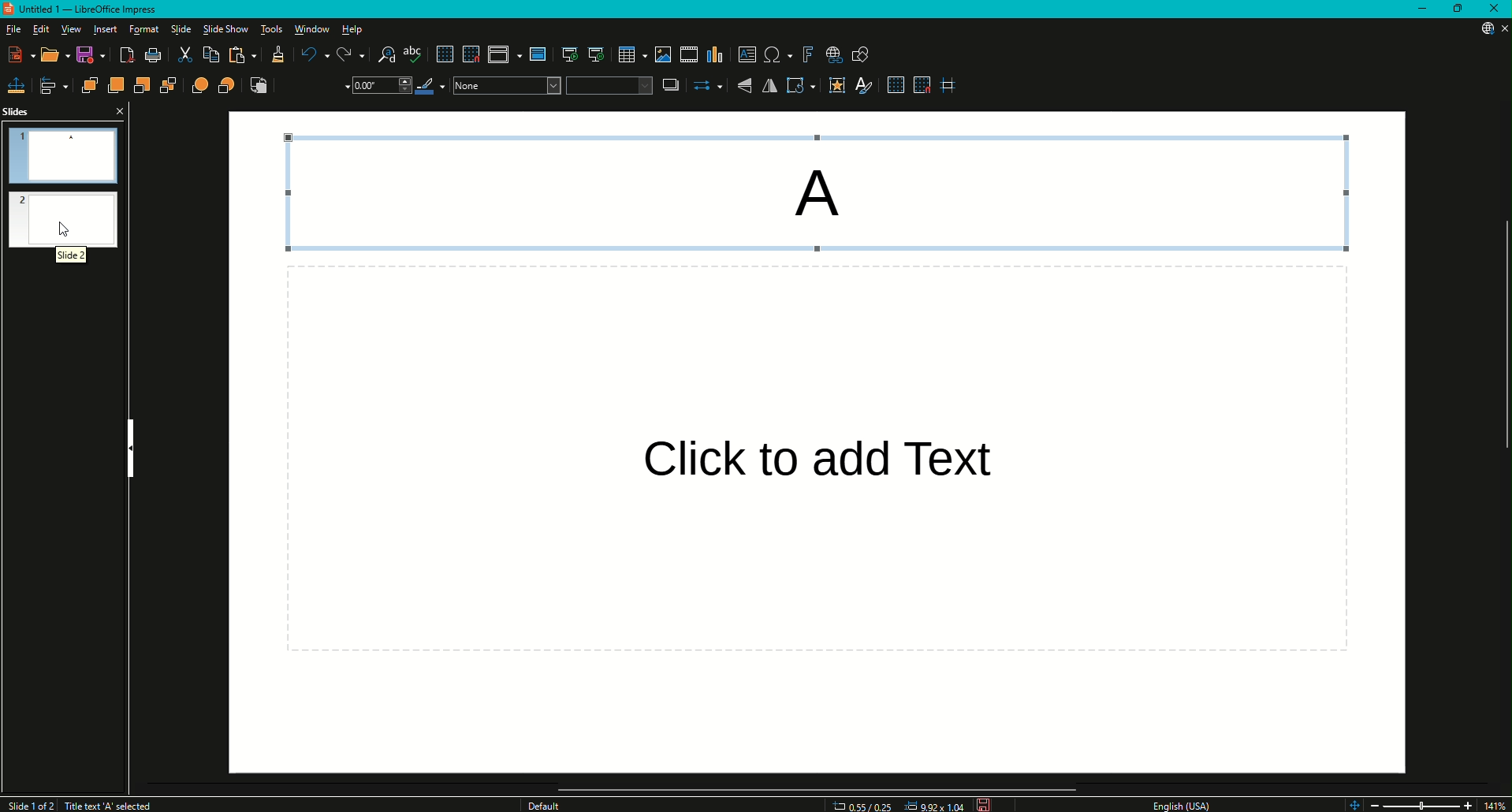 The width and height of the screenshot is (1512, 812). Describe the element at coordinates (468, 52) in the screenshot. I see `Snap to Grid` at that location.